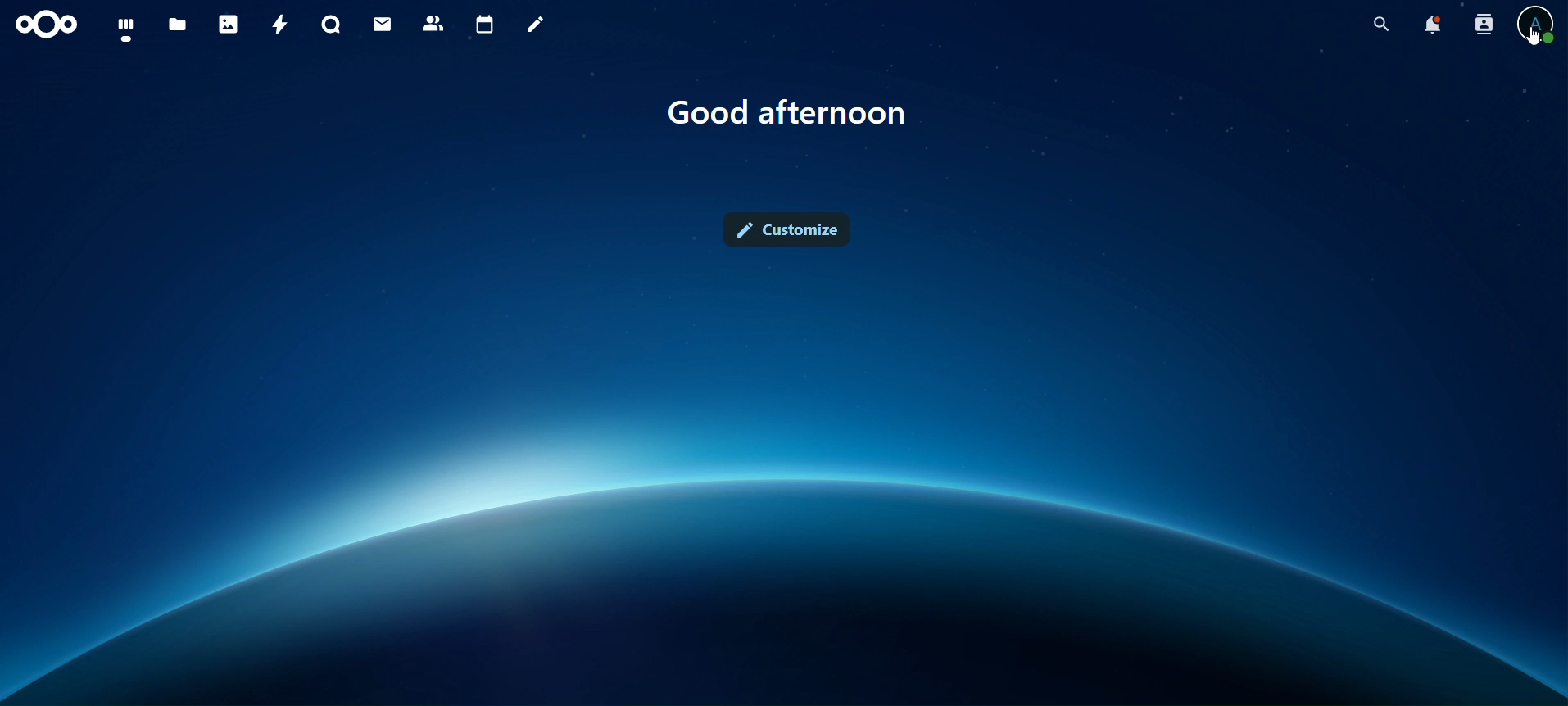 The width and height of the screenshot is (1568, 706). What do you see at coordinates (383, 25) in the screenshot?
I see `mail` at bounding box center [383, 25].